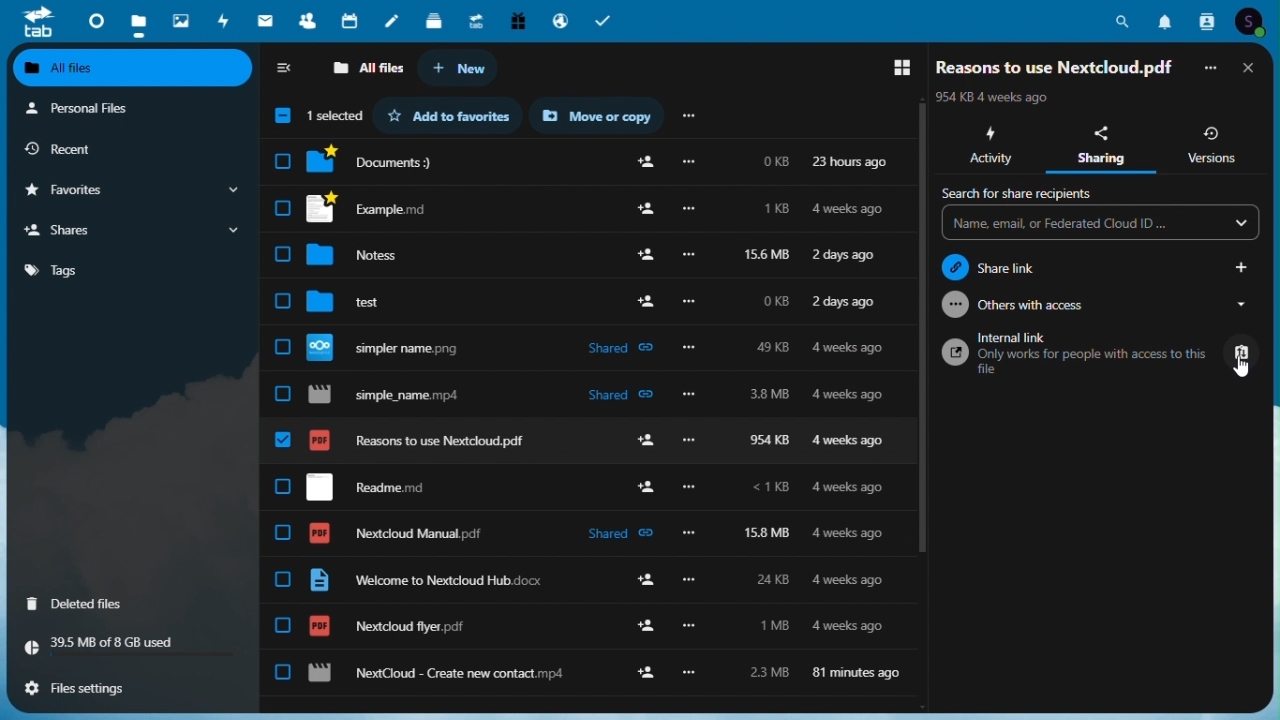 Image resolution: width=1280 pixels, height=720 pixels. Describe the element at coordinates (1166, 20) in the screenshot. I see `notifications` at that location.